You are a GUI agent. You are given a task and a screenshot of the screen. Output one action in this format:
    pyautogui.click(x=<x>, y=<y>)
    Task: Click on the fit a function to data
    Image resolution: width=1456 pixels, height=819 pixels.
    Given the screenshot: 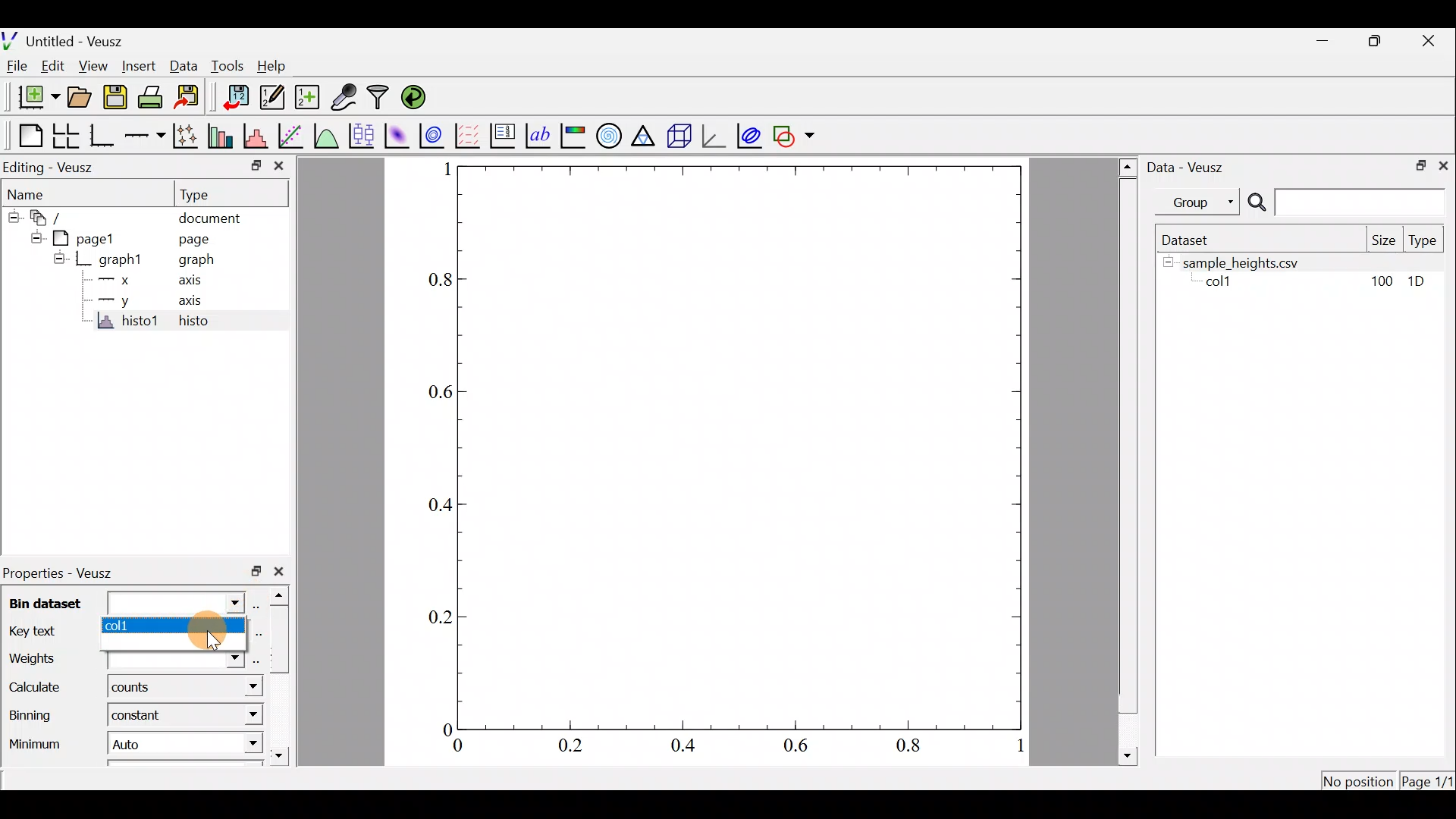 What is the action you would take?
    pyautogui.click(x=293, y=136)
    